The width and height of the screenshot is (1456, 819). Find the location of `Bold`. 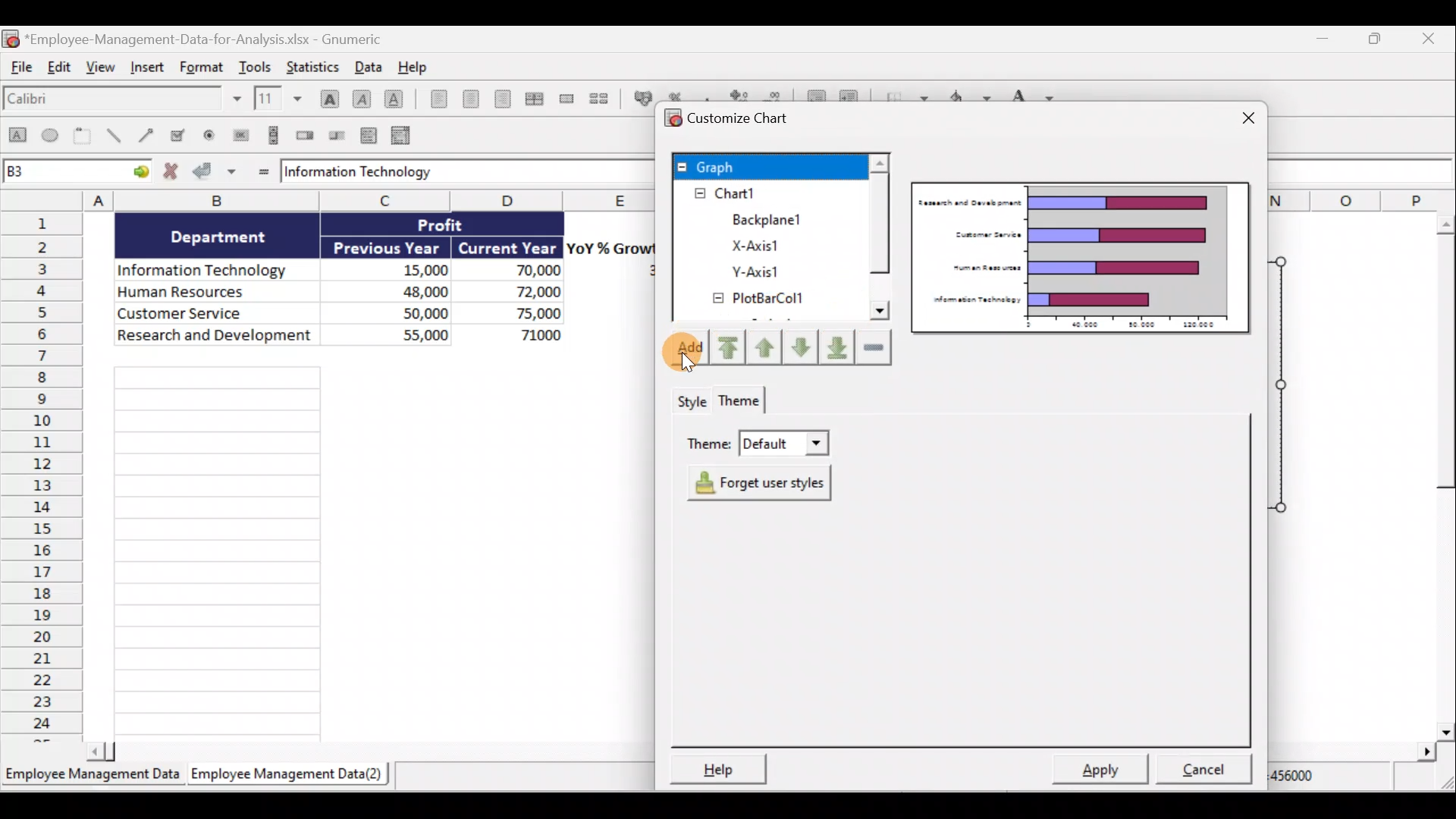

Bold is located at coordinates (328, 98).